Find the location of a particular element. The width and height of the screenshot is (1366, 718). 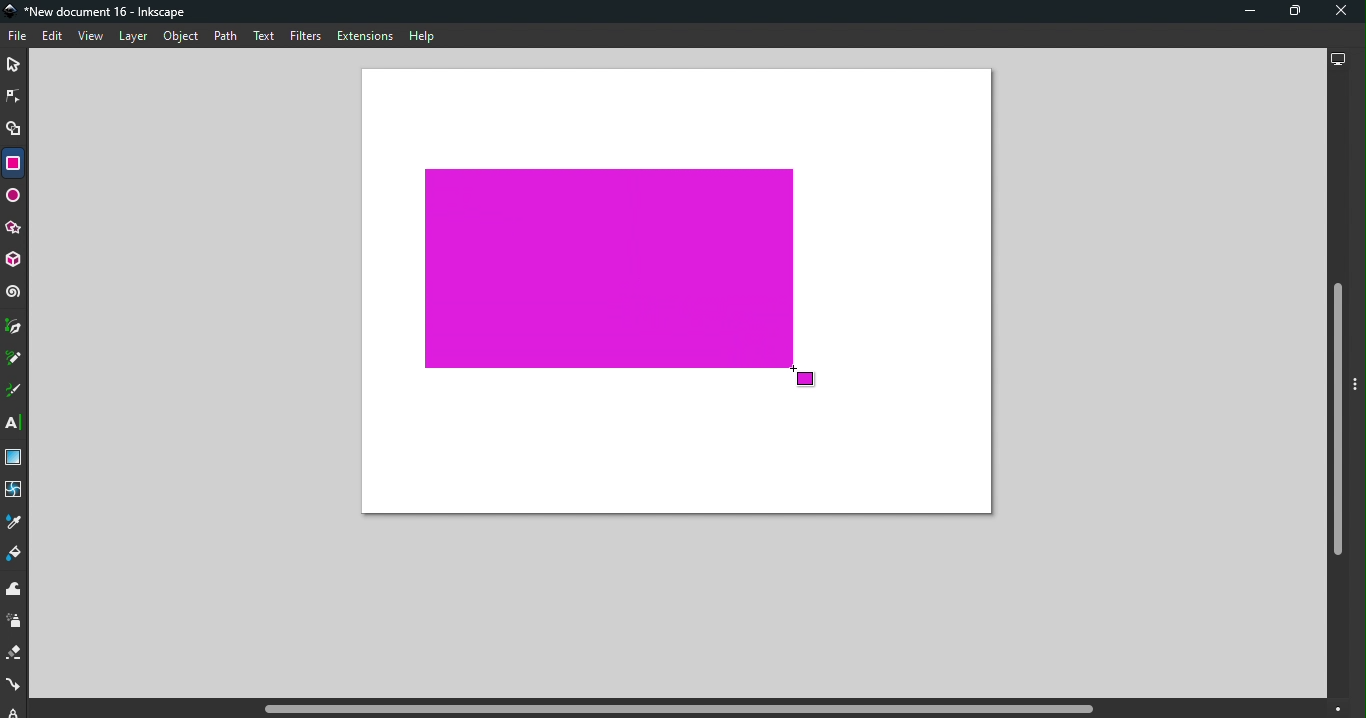

Vertical scroll bar is located at coordinates (1336, 387).